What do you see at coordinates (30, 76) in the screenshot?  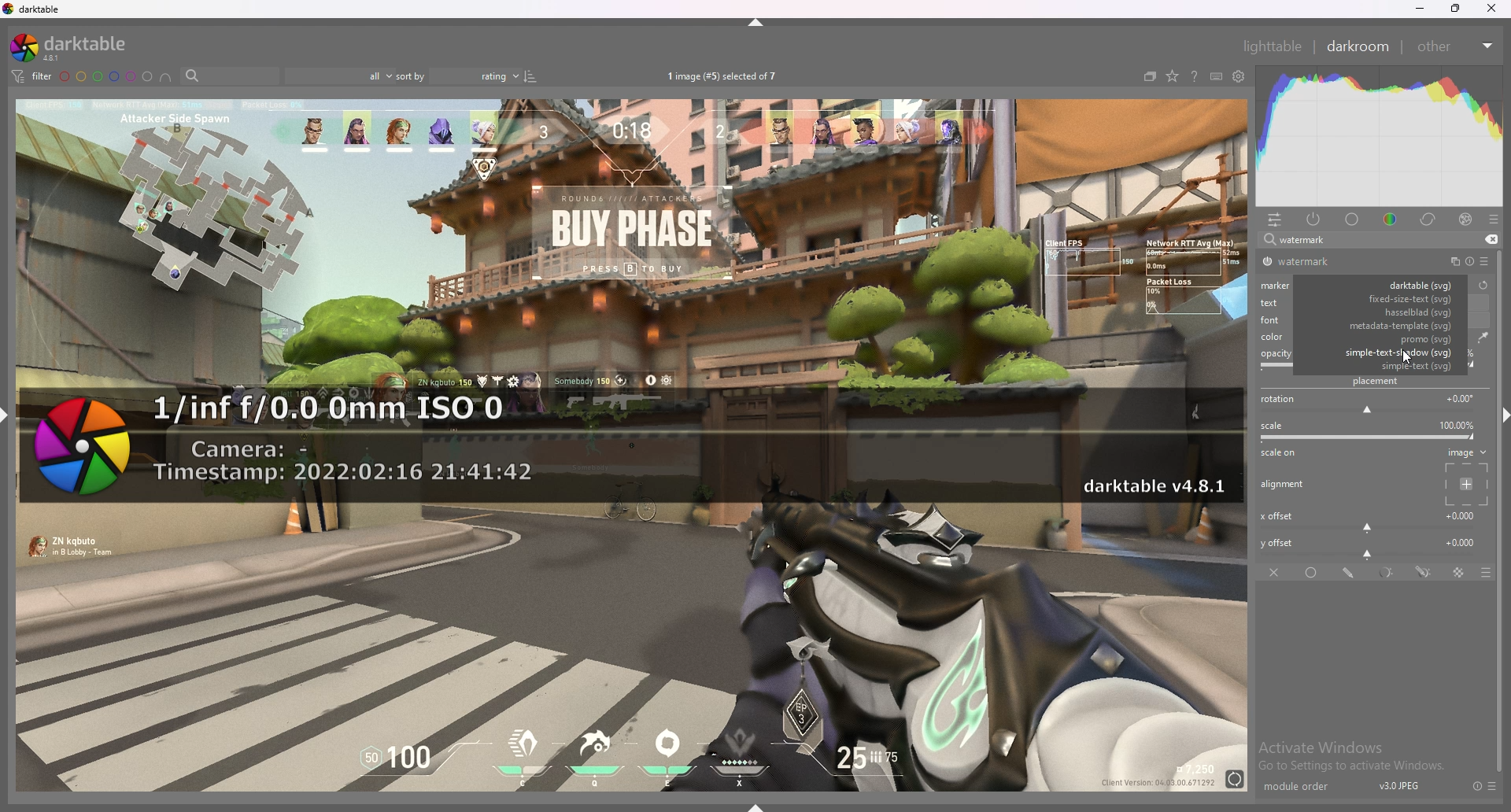 I see `filter` at bounding box center [30, 76].